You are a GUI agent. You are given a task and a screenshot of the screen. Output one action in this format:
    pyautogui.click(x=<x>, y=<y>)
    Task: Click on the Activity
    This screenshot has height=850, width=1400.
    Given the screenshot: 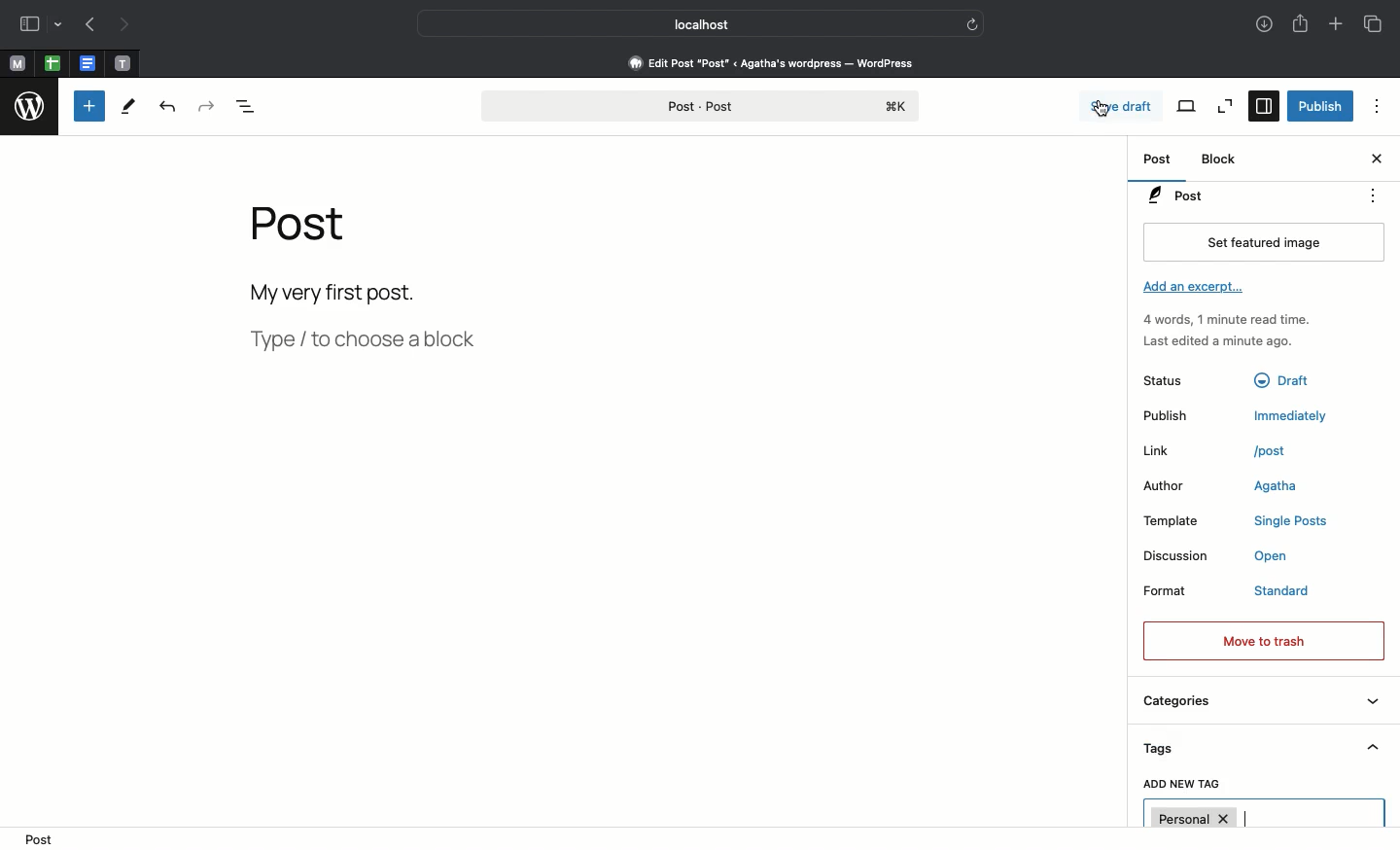 What is the action you would take?
    pyautogui.click(x=1235, y=329)
    